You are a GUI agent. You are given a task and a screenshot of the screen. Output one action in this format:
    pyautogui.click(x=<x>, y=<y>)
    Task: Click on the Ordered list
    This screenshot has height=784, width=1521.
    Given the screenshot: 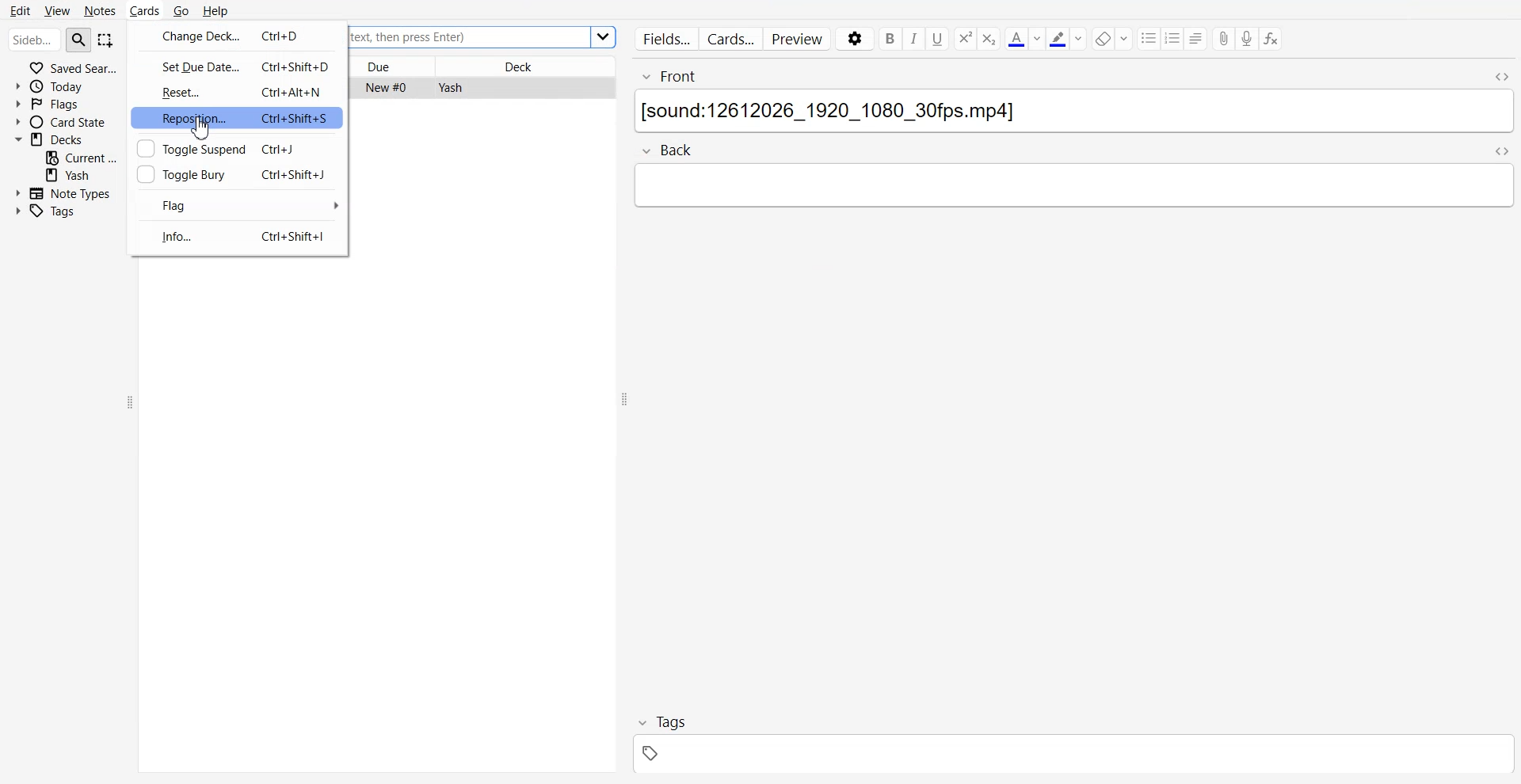 What is the action you would take?
    pyautogui.click(x=1174, y=38)
    